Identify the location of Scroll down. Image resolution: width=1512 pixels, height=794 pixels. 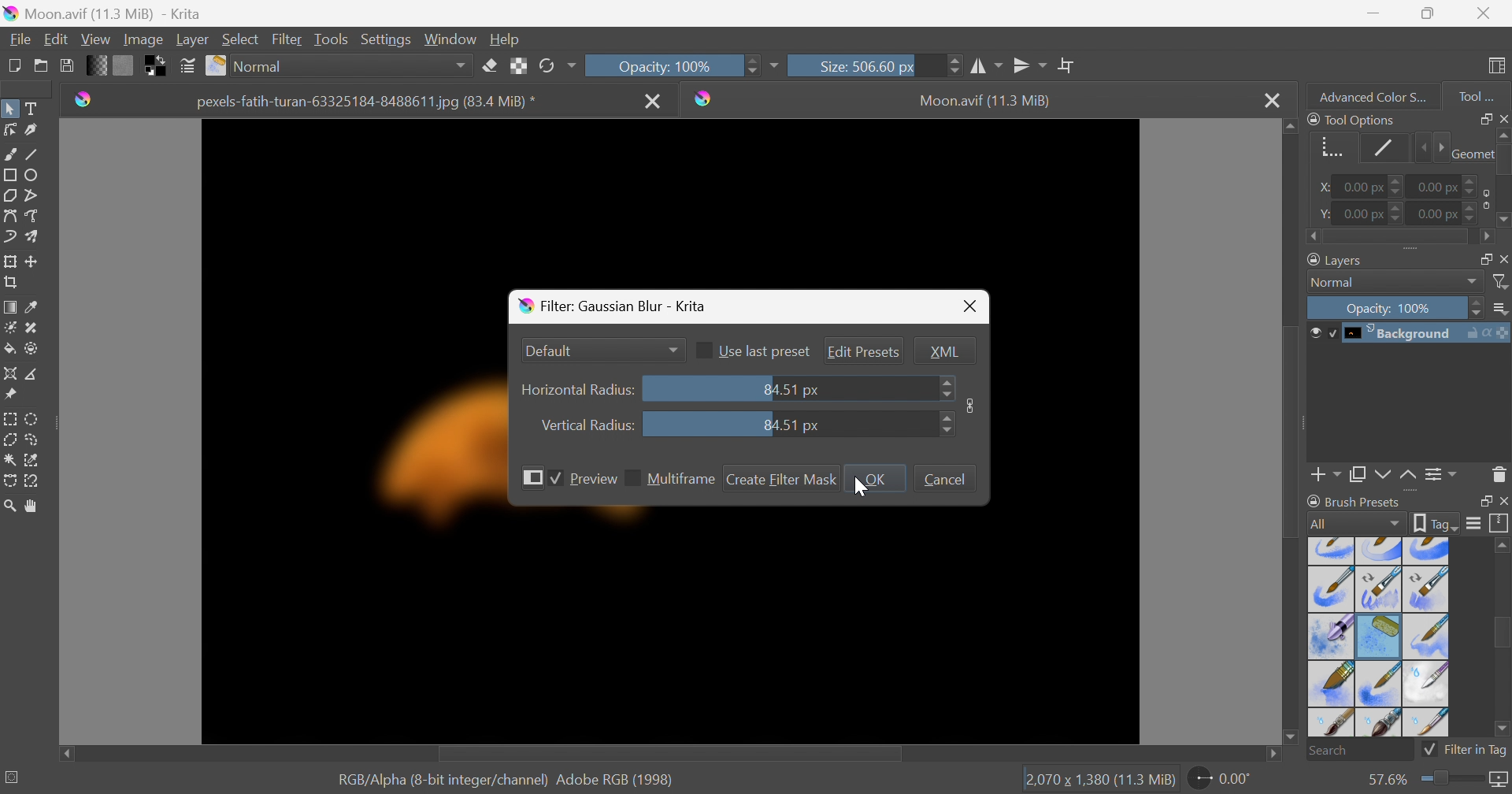
(1503, 222).